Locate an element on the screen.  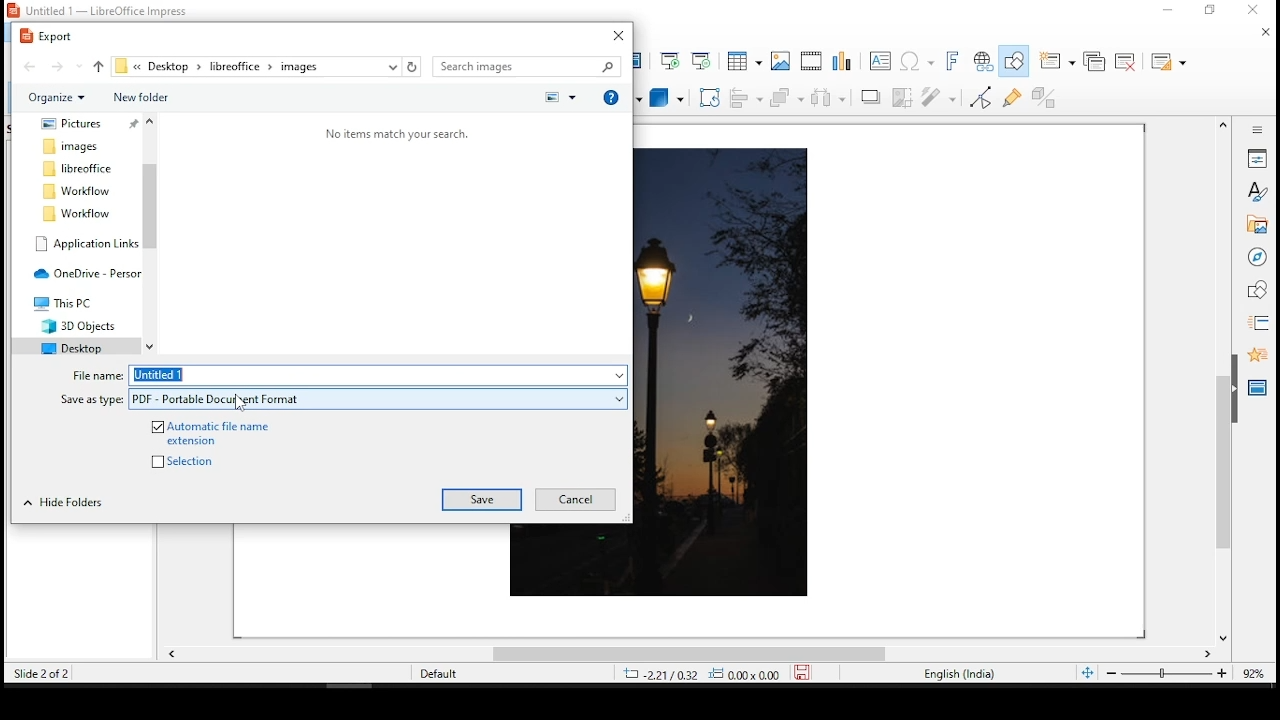
save is located at coordinates (483, 500).